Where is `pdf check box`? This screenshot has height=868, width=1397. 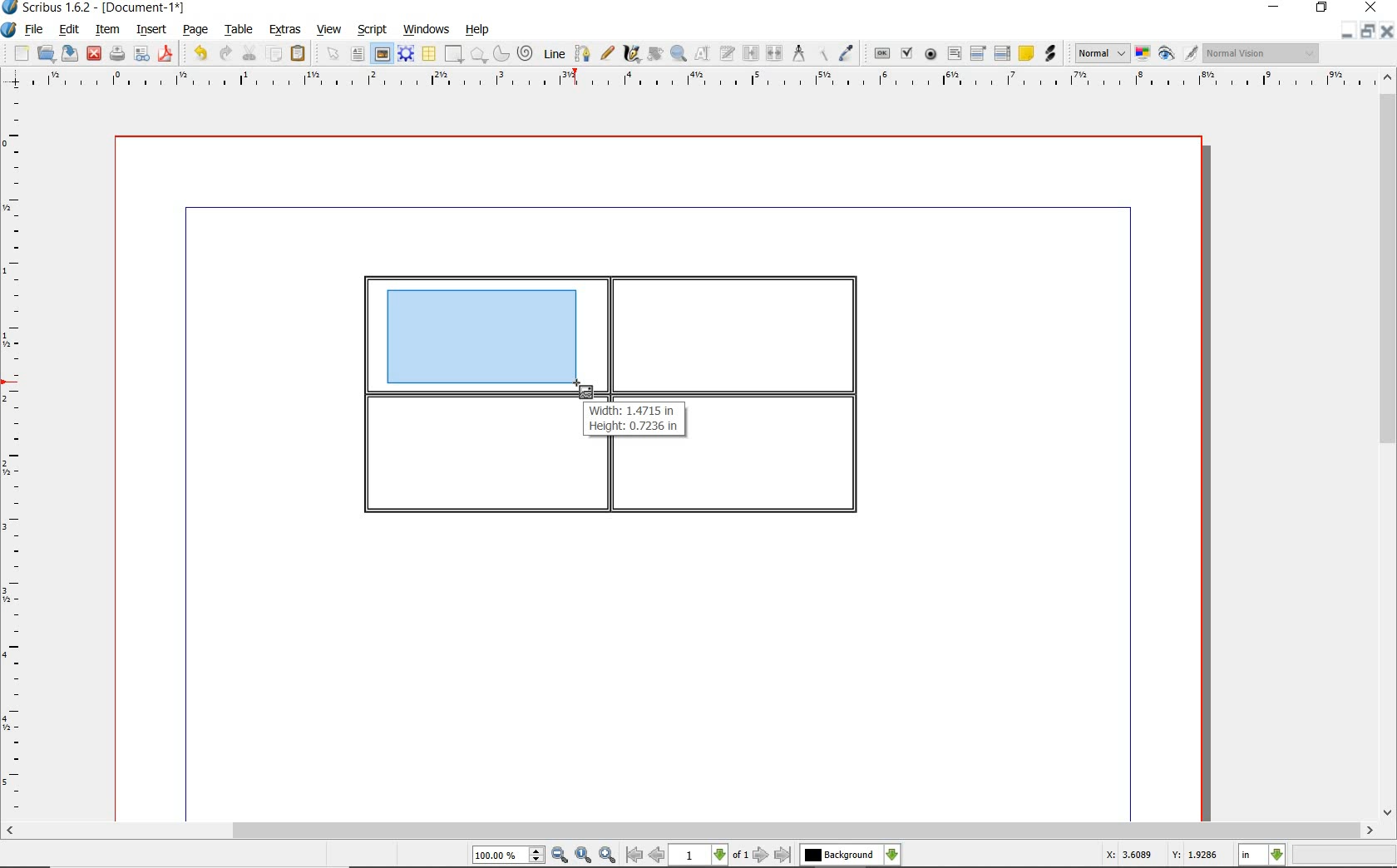 pdf check box is located at coordinates (909, 55).